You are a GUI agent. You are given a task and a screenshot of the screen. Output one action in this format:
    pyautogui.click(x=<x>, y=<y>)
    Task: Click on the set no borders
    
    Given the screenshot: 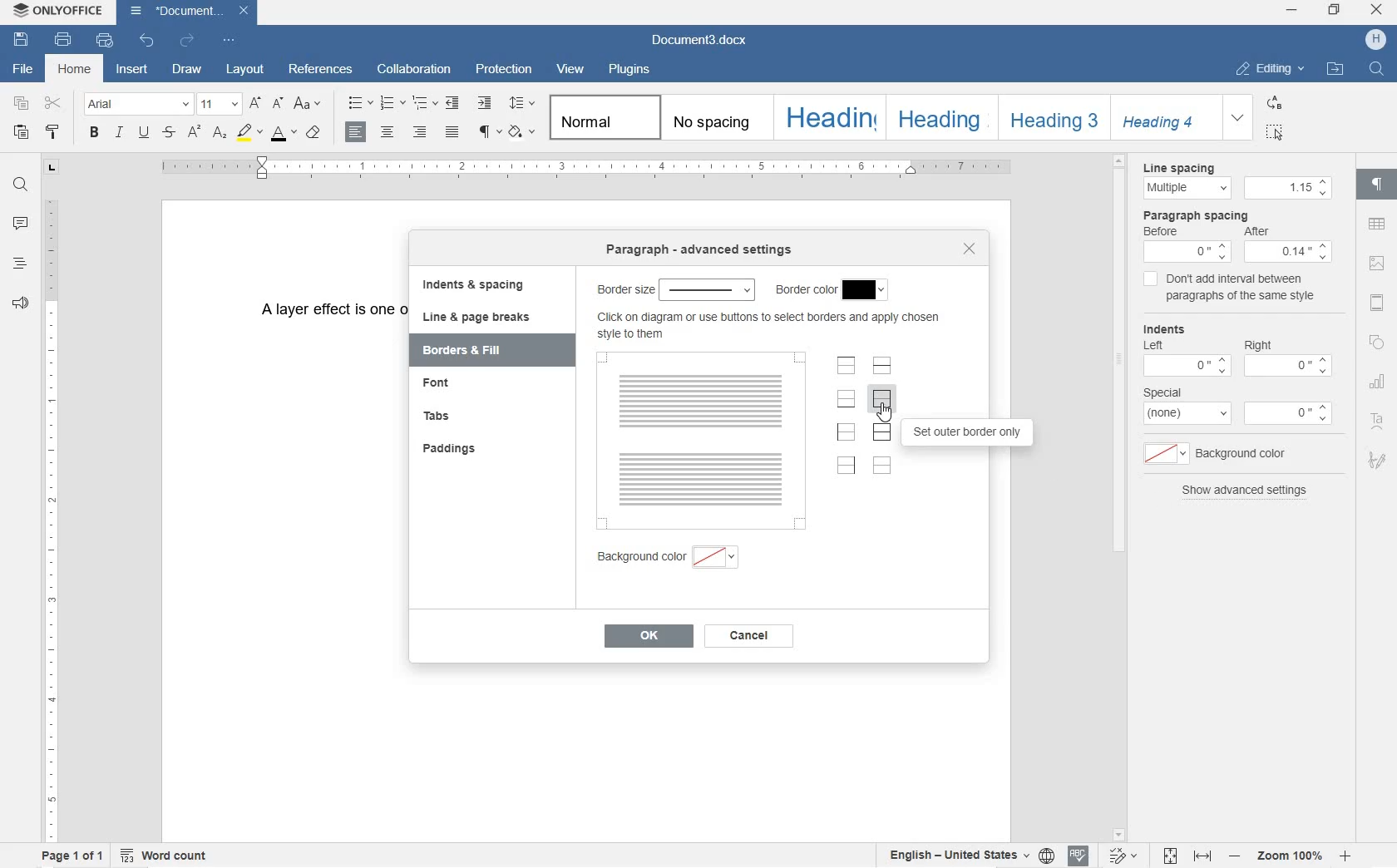 What is the action you would take?
    pyautogui.click(x=881, y=468)
    